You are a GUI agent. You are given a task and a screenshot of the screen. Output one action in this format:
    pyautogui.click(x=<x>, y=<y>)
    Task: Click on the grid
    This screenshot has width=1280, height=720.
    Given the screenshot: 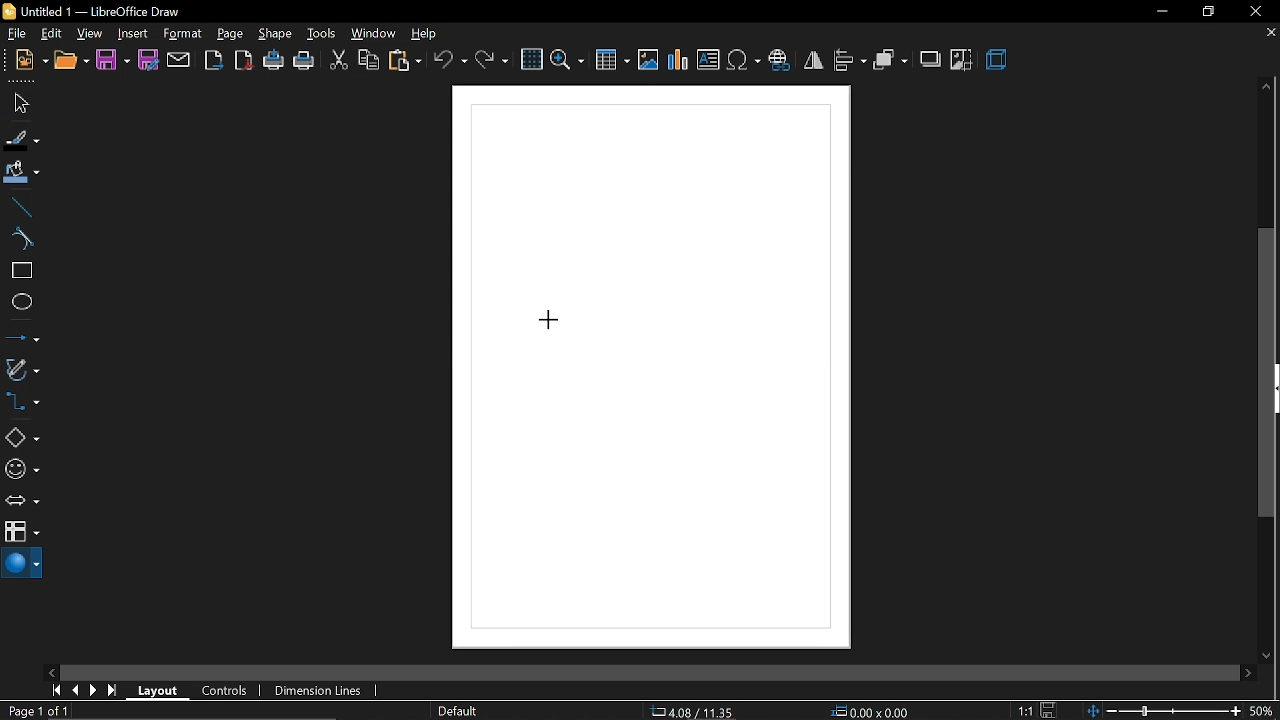 What is the action you would take?
    pyautogui.click(x=531, y=58)
    